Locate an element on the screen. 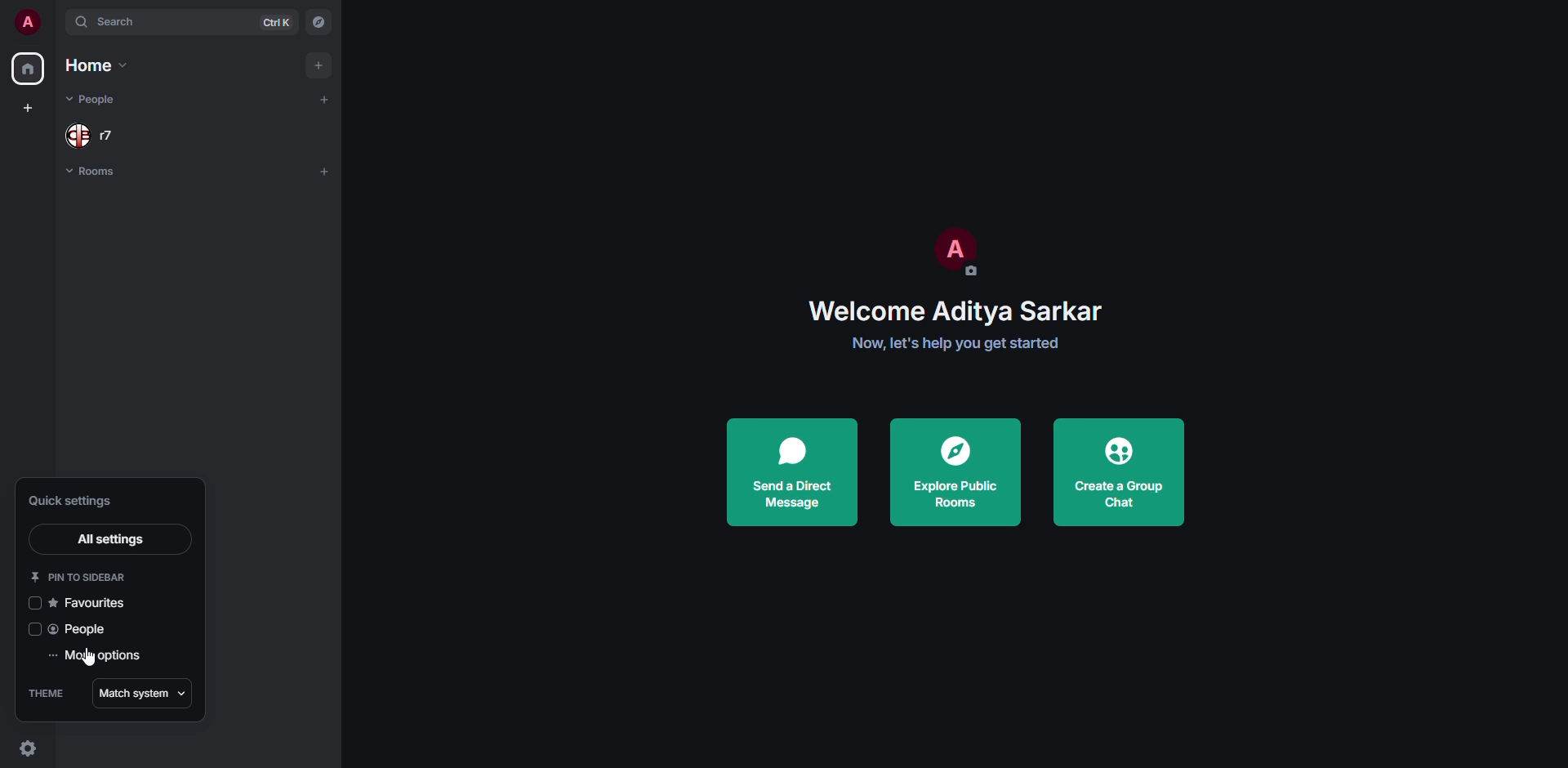  quick settings is located at coordinates (78, 500).